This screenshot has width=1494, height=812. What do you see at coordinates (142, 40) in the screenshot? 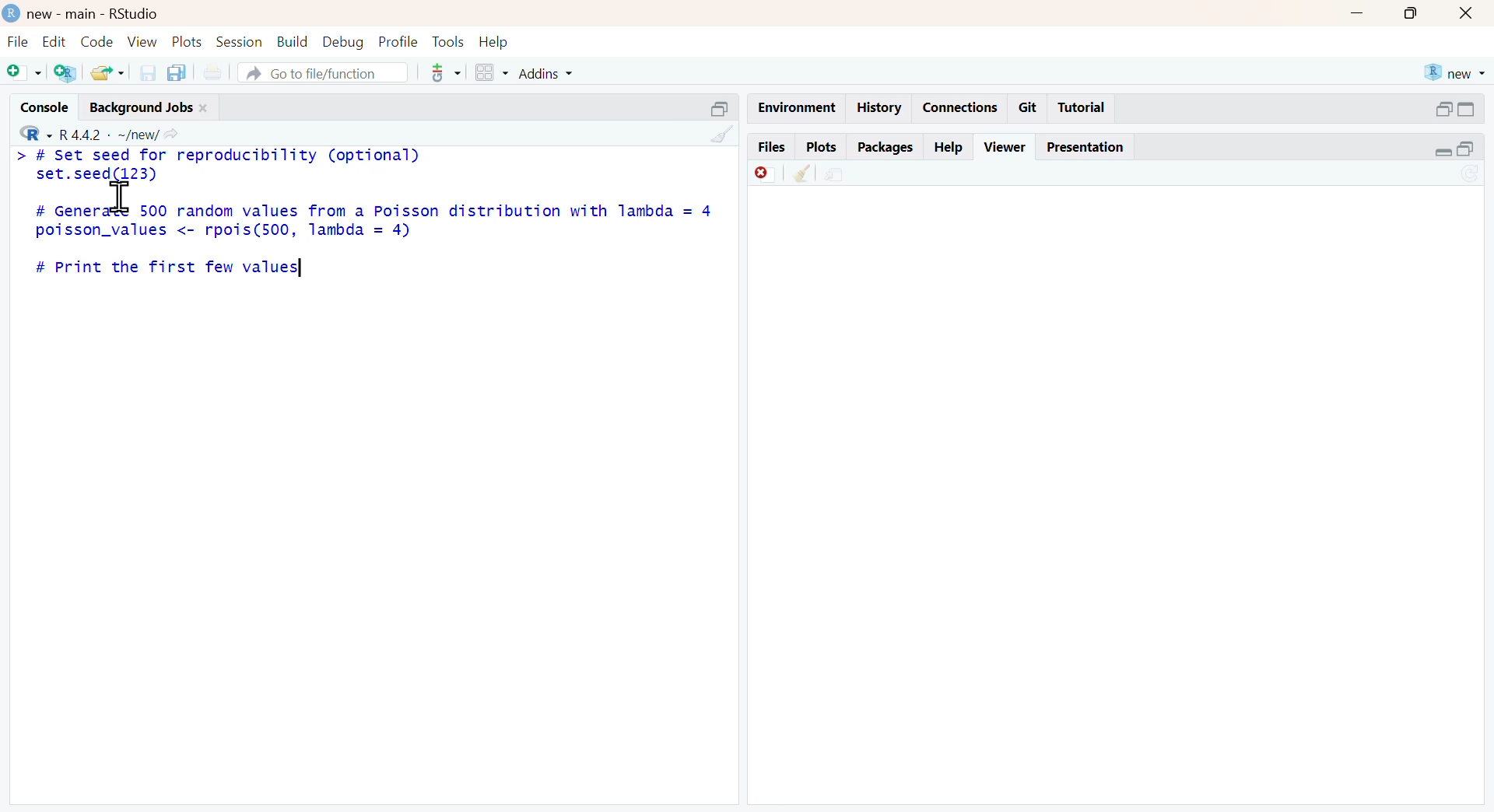
I see `view` at bounding box center [142, 40].